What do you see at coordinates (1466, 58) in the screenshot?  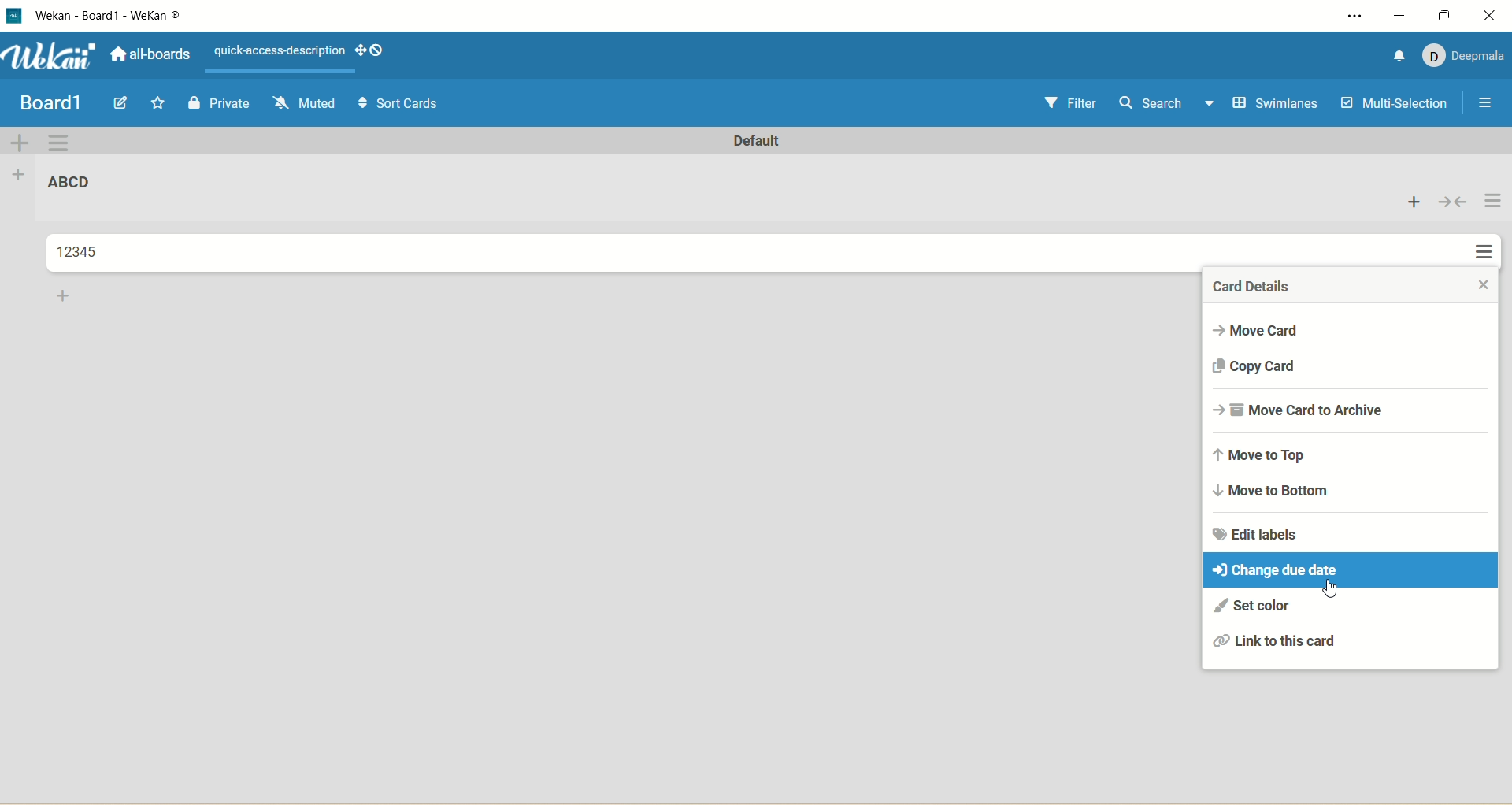 I see `account` at bounding box center [1466, 58].